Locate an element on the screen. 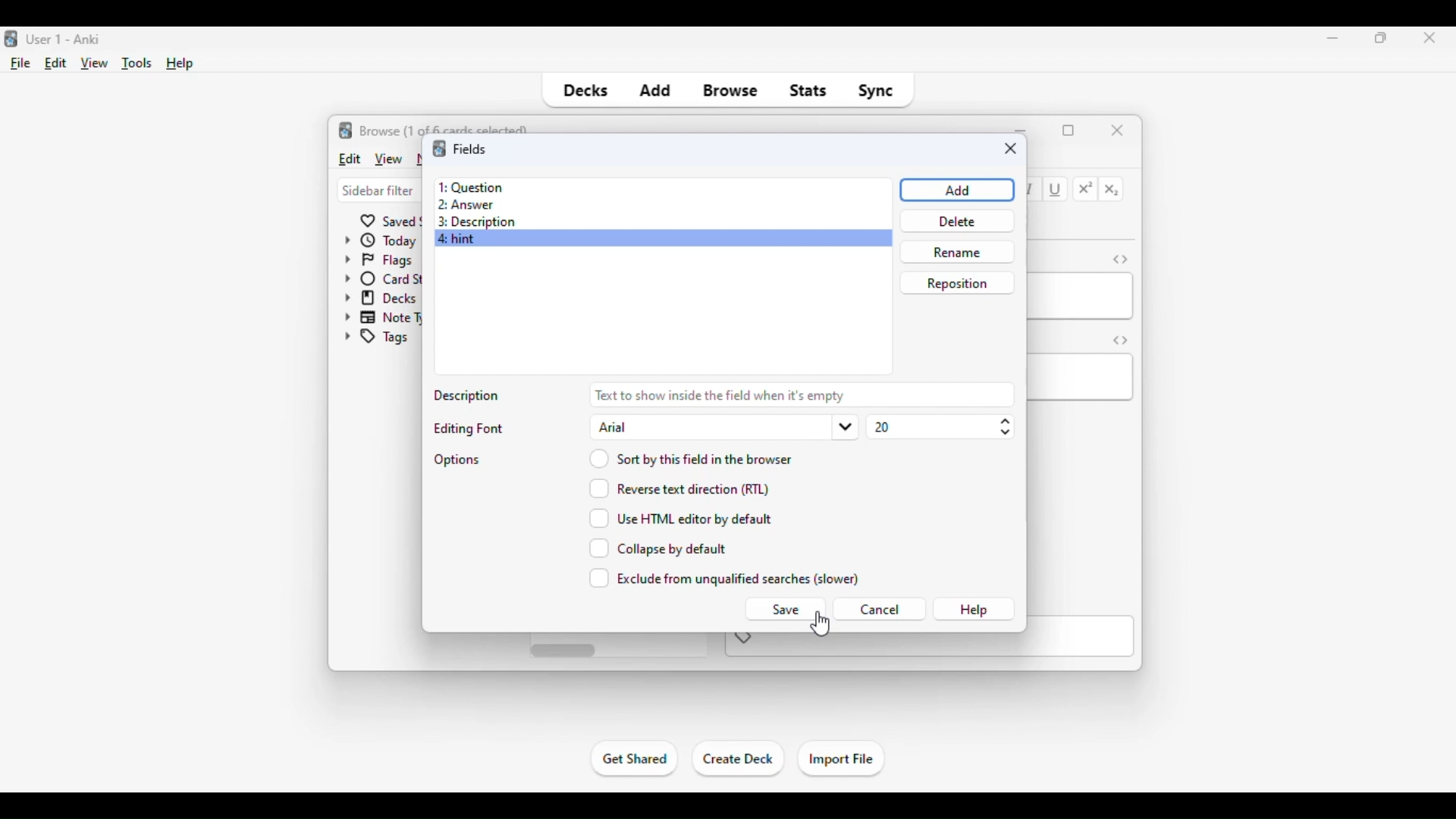 The height and width of the screenshot is (819, 1456). edit is located at coordinates (56, 63).